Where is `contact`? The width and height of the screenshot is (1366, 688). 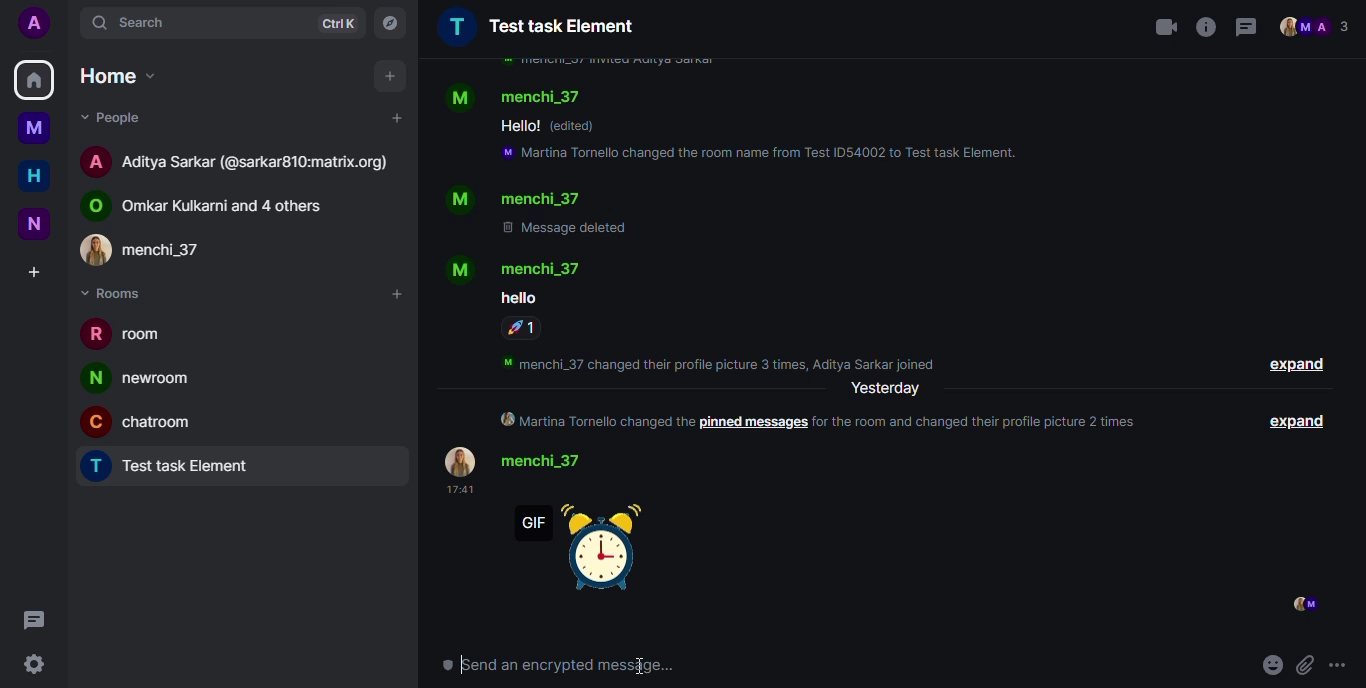
contact is located at coordinates (518, 96).